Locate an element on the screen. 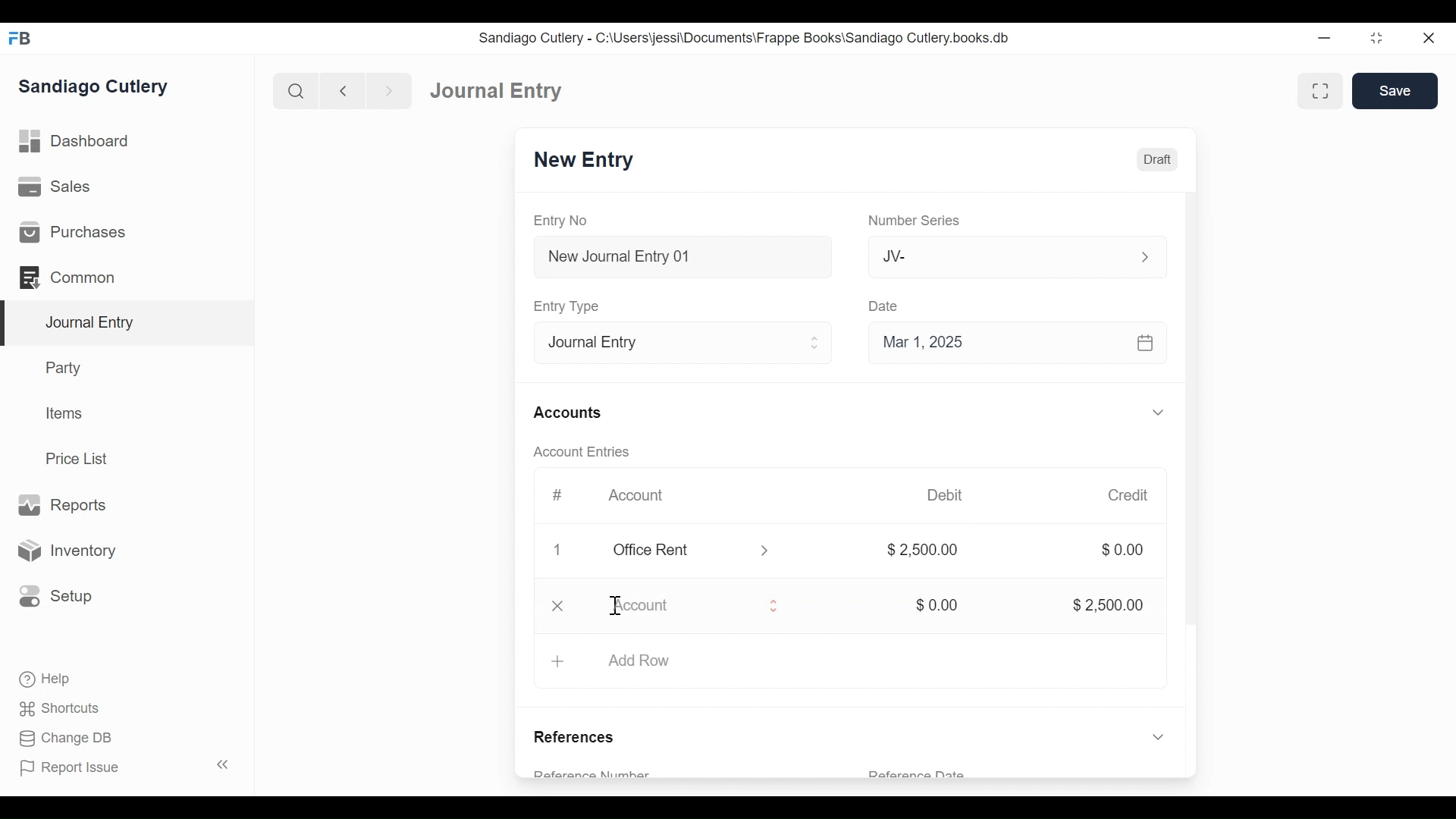  delete is located at coordinates (554, 551).